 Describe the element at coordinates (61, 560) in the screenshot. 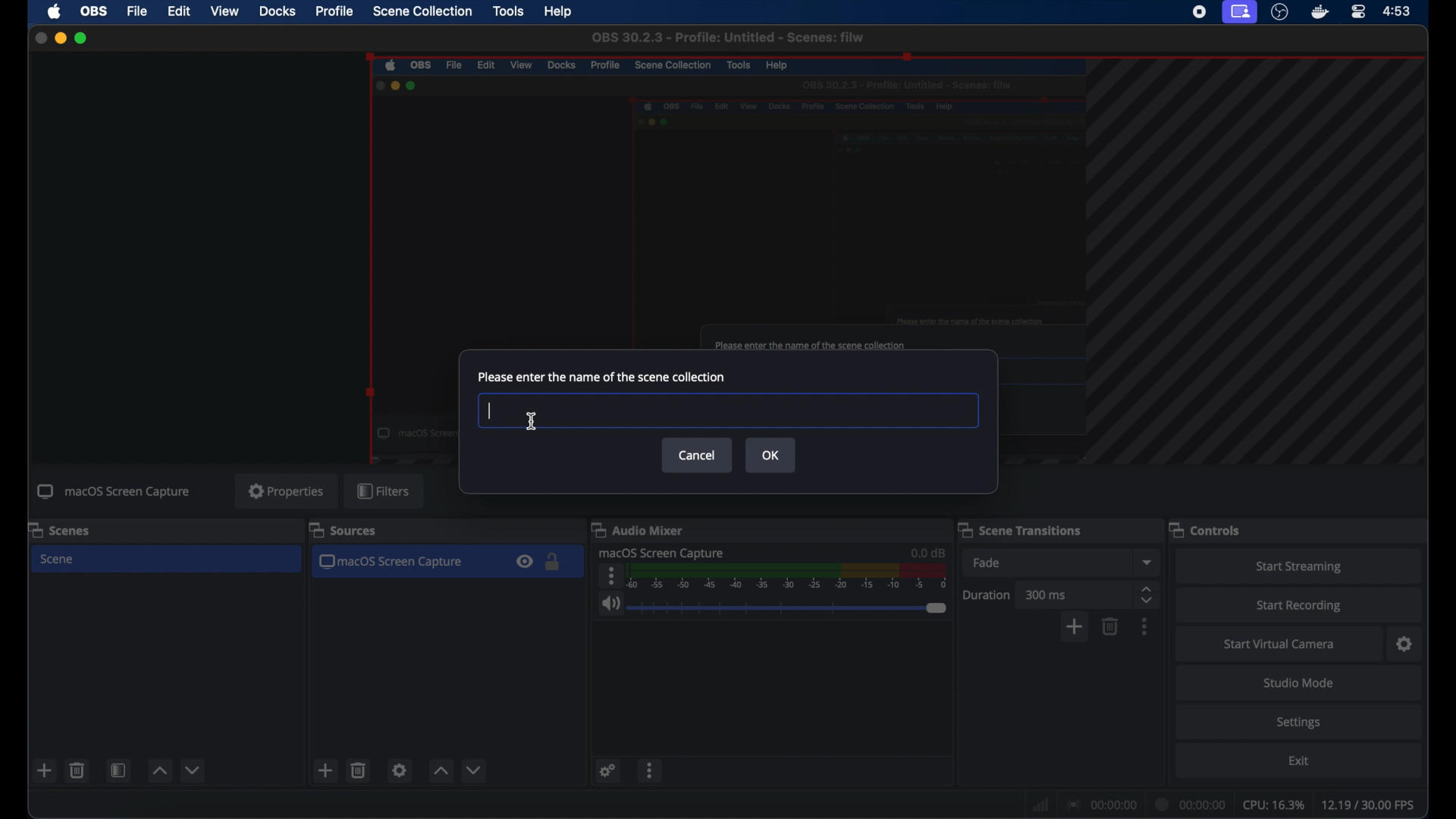

I see `scene` at that location.